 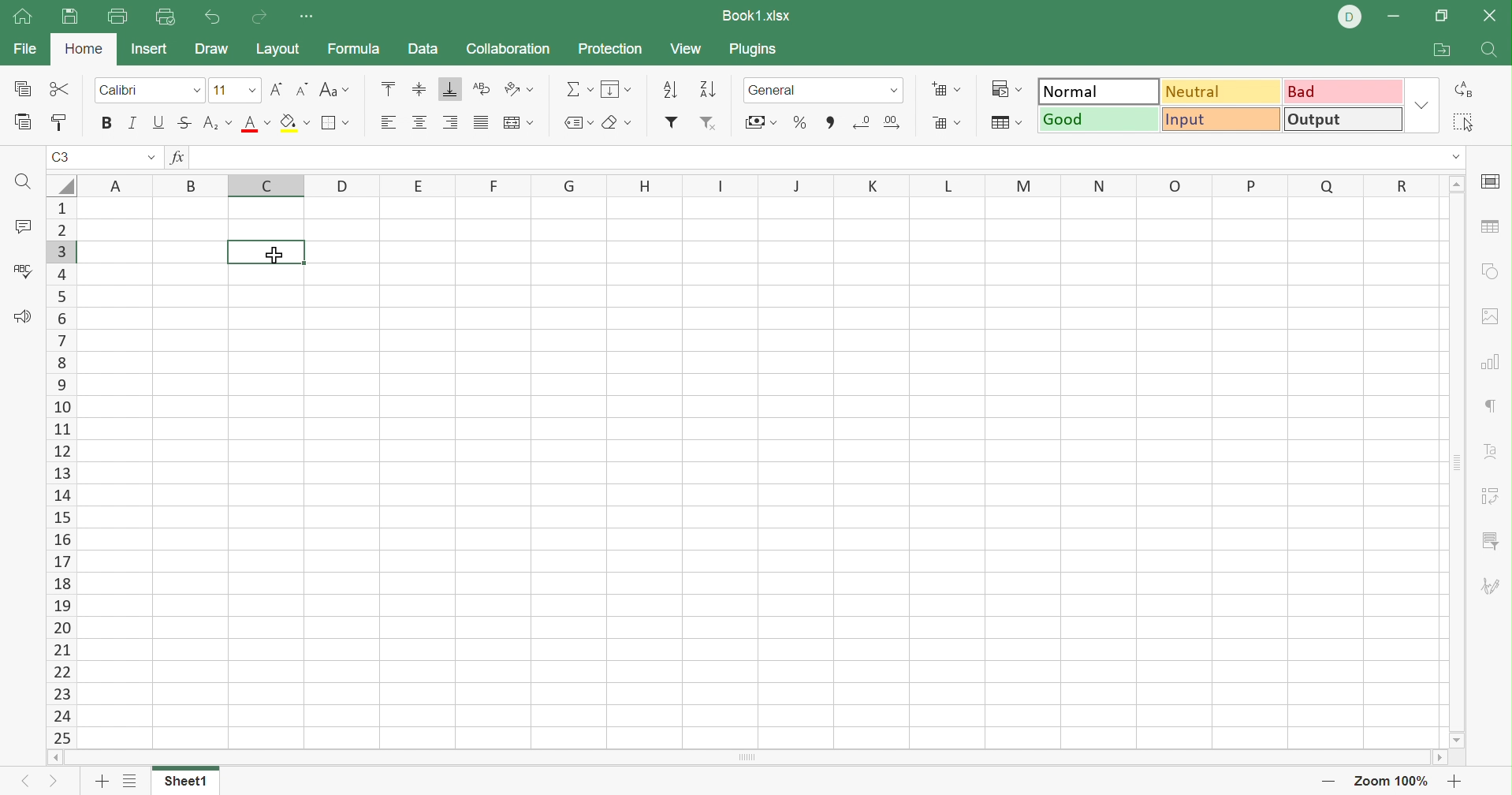 What do you see at coordinates (1494, 453) in the screenshot?
I see `Text Art settings` at bounding box center [1494, 453].